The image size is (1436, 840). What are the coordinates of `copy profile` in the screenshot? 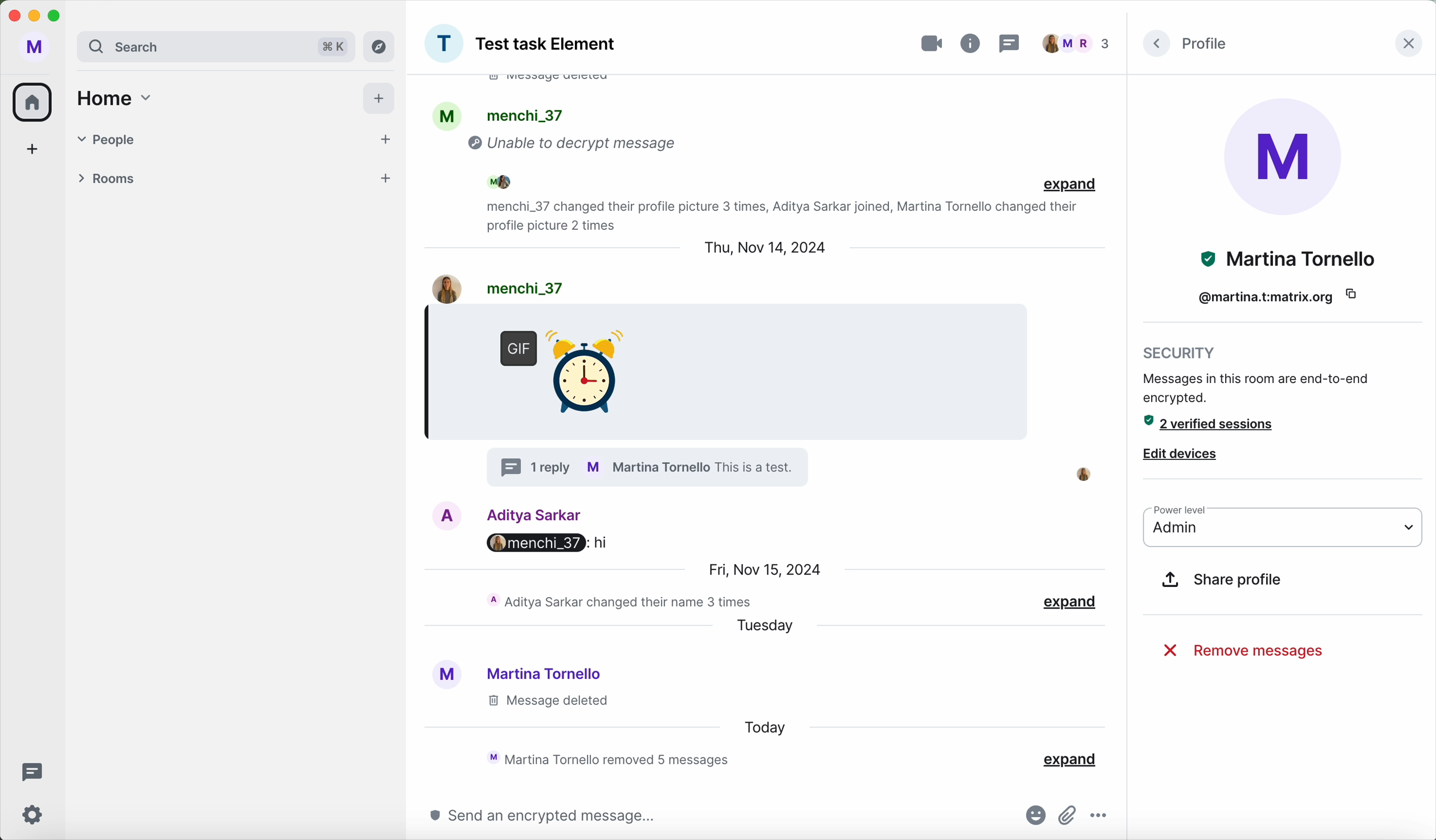 It's located at (1360, 295).